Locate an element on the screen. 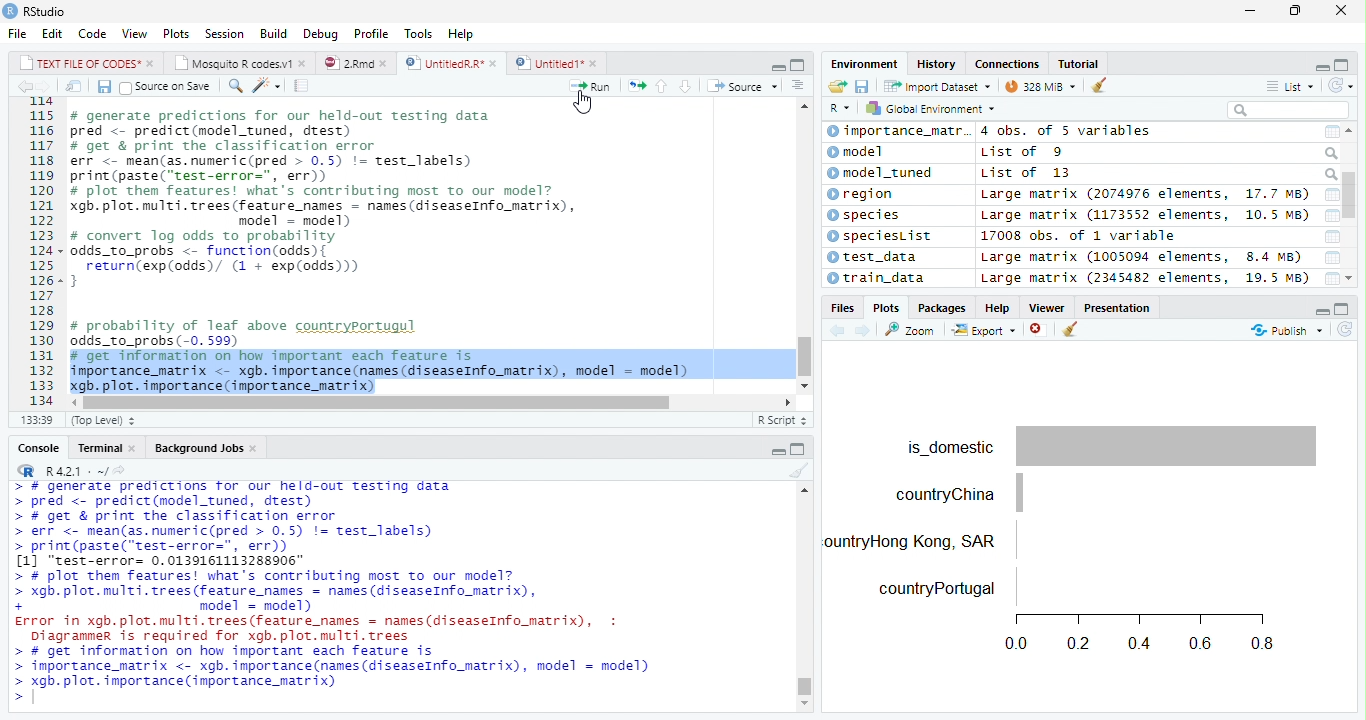 This screenshot has height=720, width=1366. Refresh is located at coordinates (1340, 84).